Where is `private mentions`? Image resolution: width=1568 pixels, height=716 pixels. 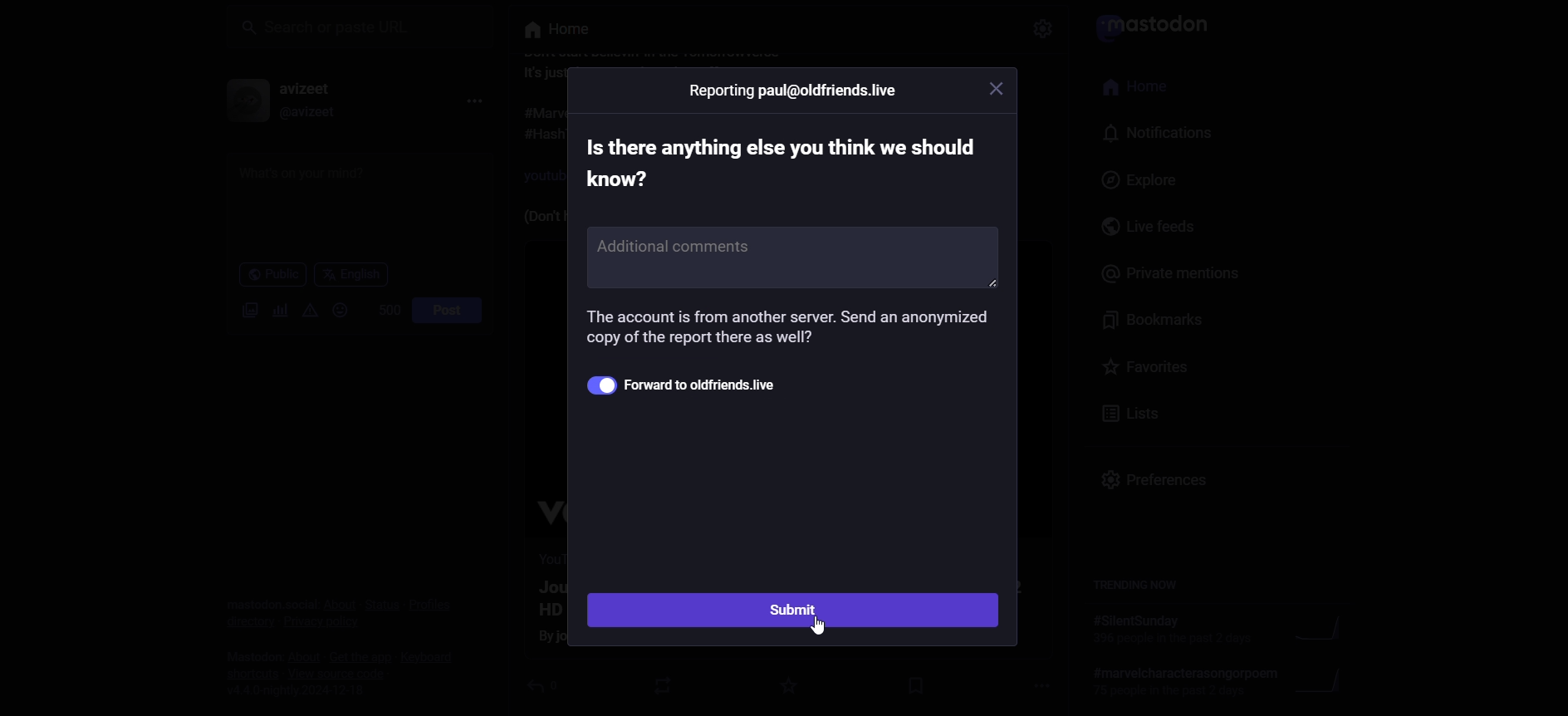 private mentions is located at coordinates (1169, 274).